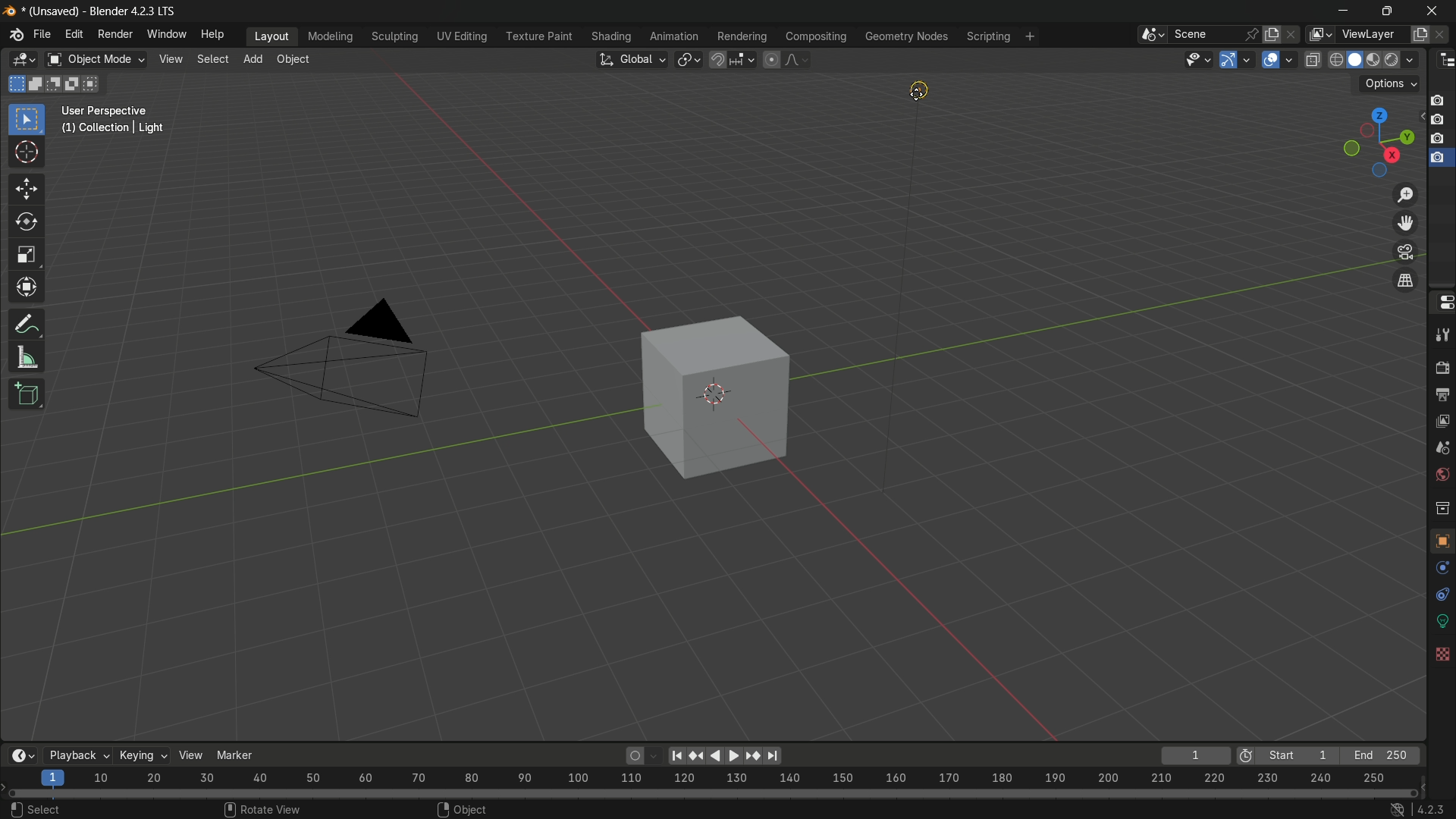 This screenshot has width=1456, height=819. I want to click on solid, so click(1354, 61).